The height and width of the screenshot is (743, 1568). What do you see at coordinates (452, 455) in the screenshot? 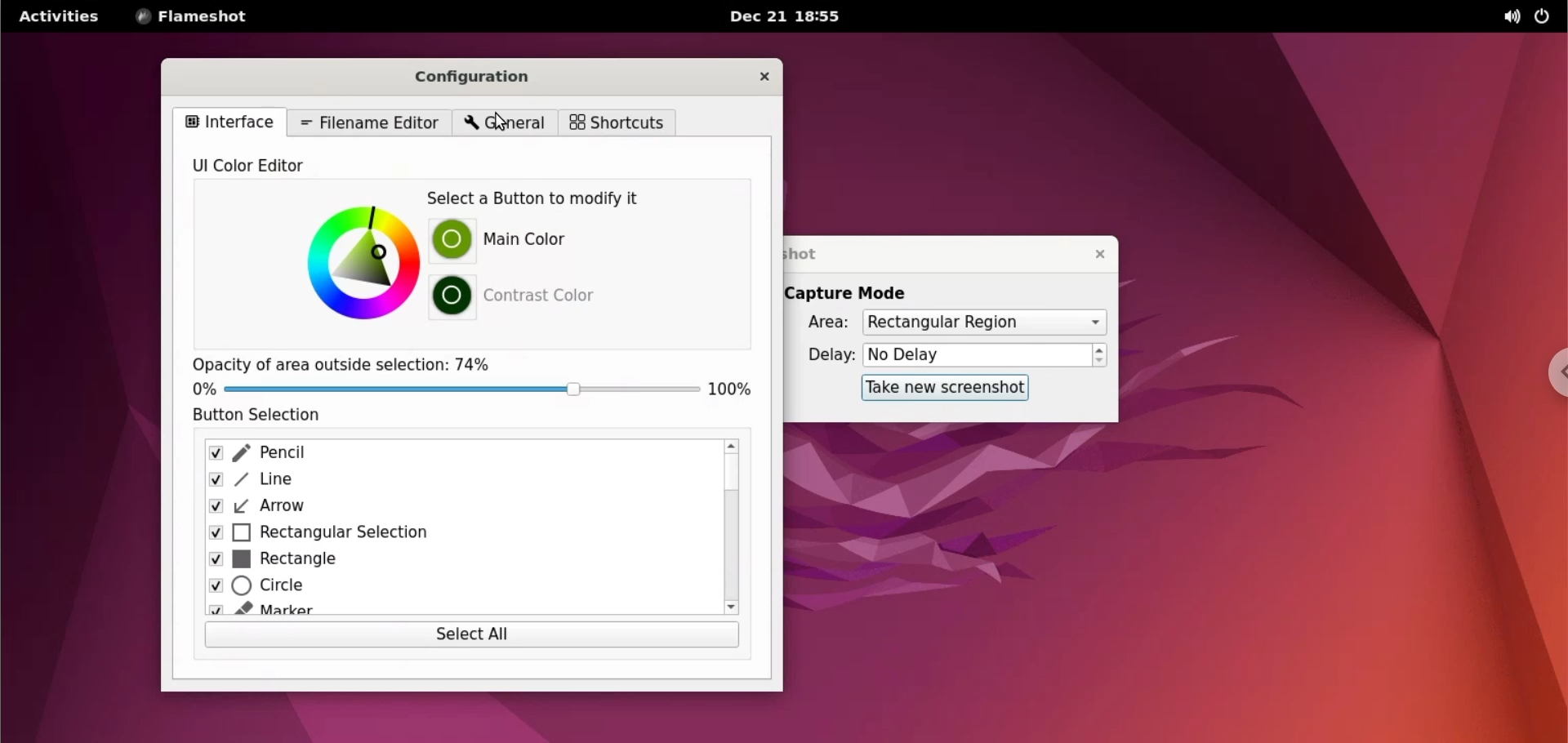
I see `pencil` at bounding box center [452, 455].